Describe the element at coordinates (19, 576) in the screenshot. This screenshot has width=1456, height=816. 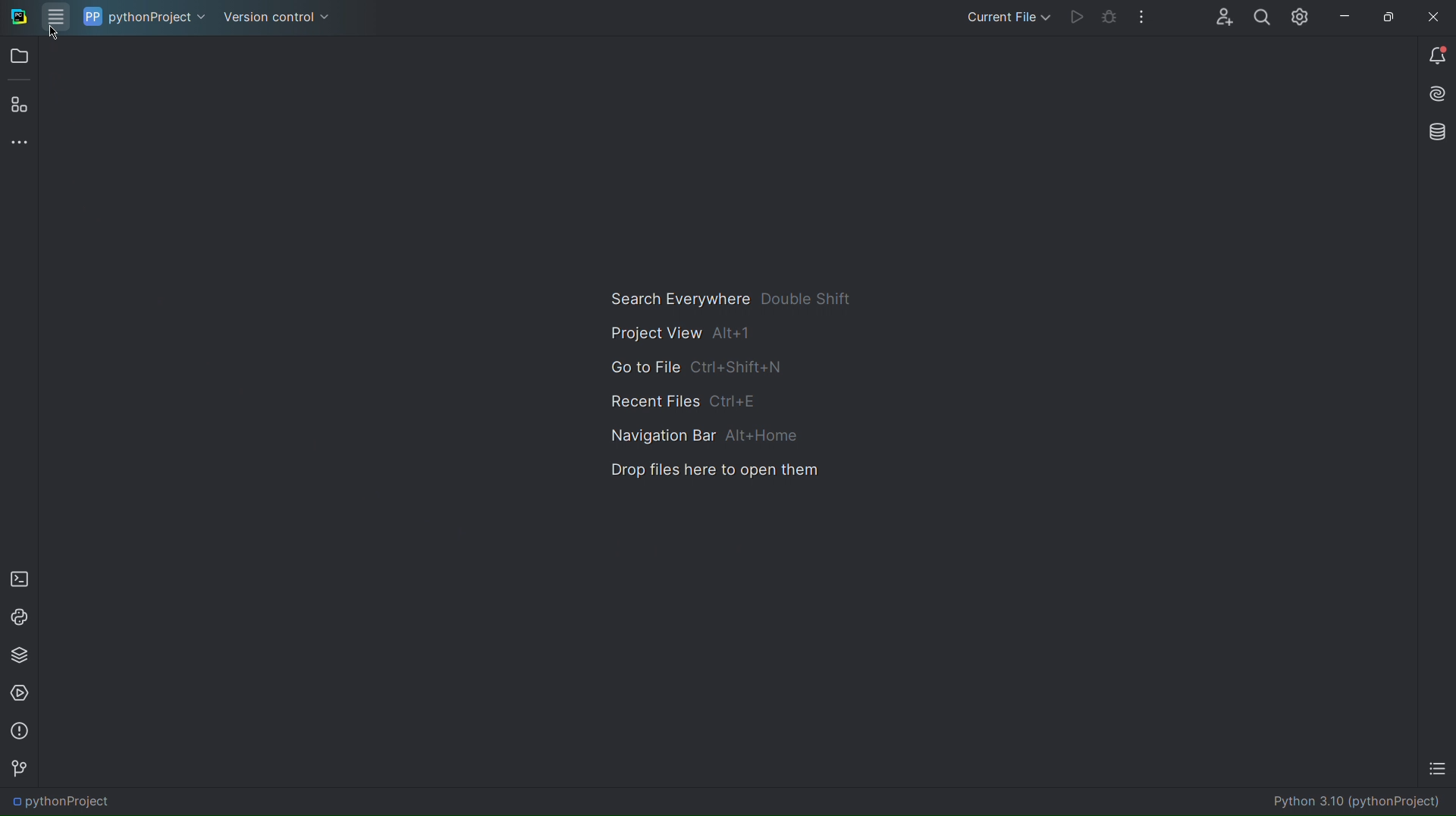
I see `Terminal` at that location.